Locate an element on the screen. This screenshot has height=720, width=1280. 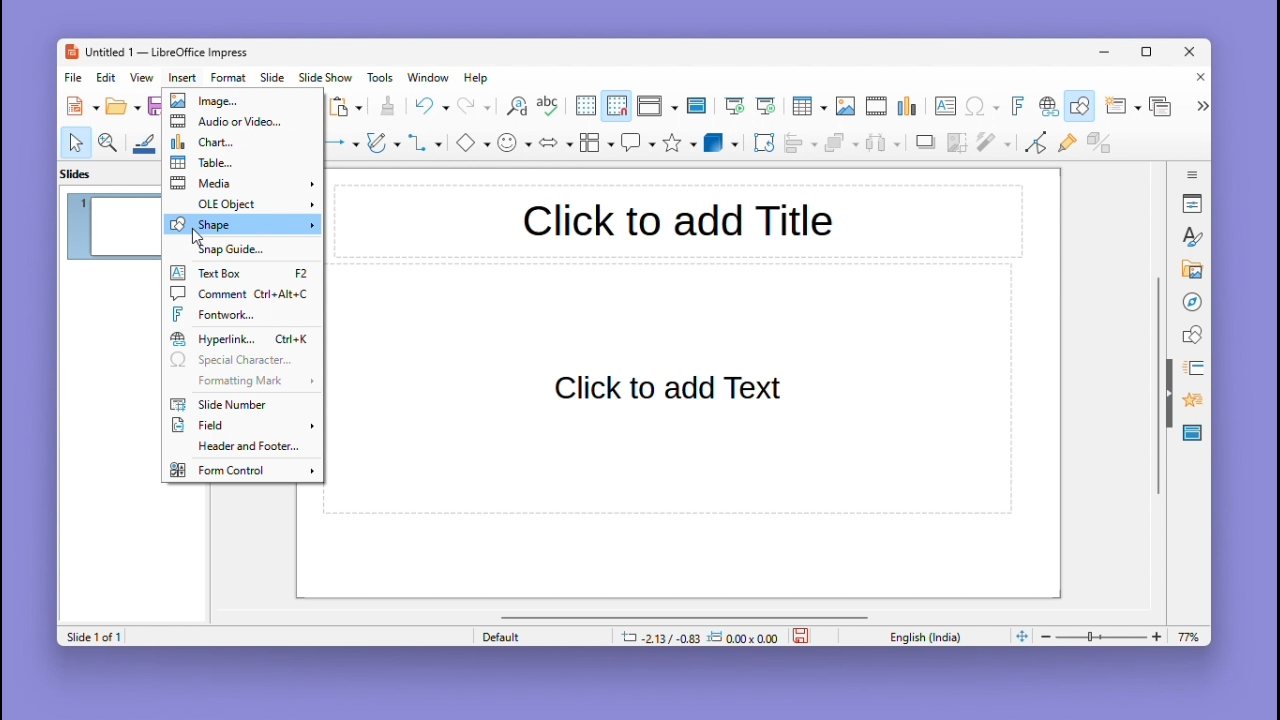
Slides is located at coordinates (86, 173).